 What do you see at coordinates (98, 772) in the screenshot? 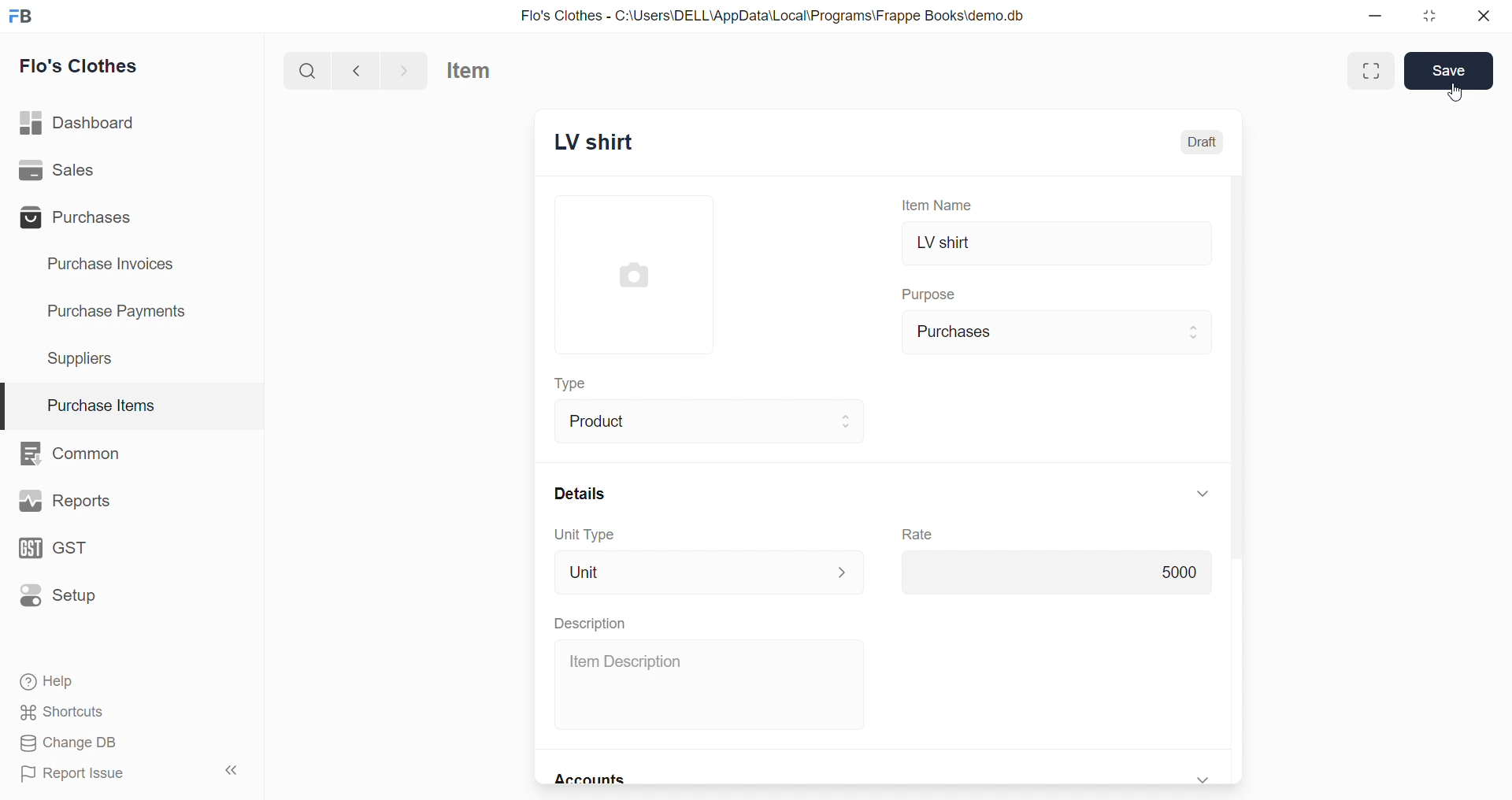
I see `Report Issue` at bounding box center [98, 772].